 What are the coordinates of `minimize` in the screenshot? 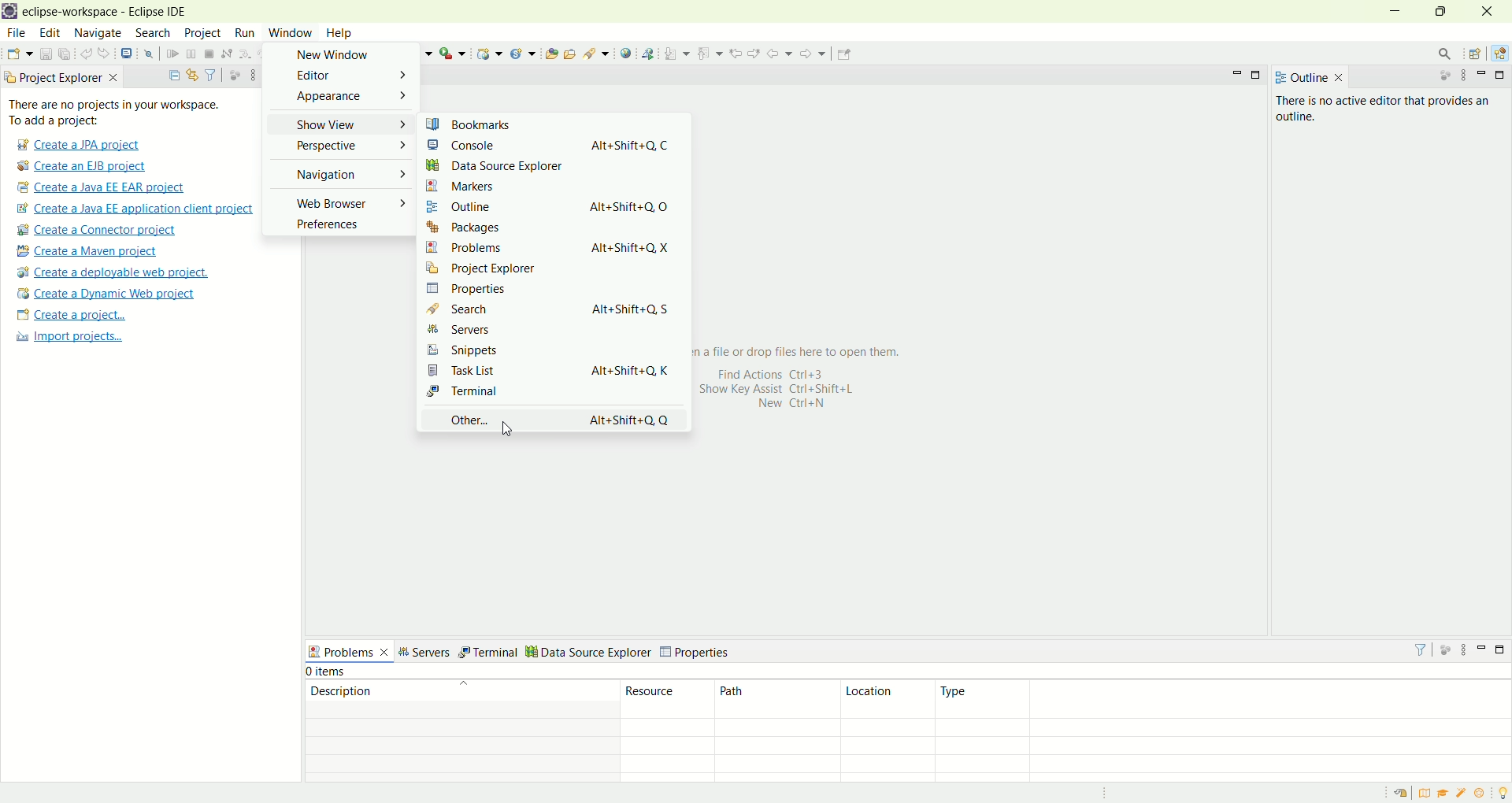 It's located at (1235, 75).